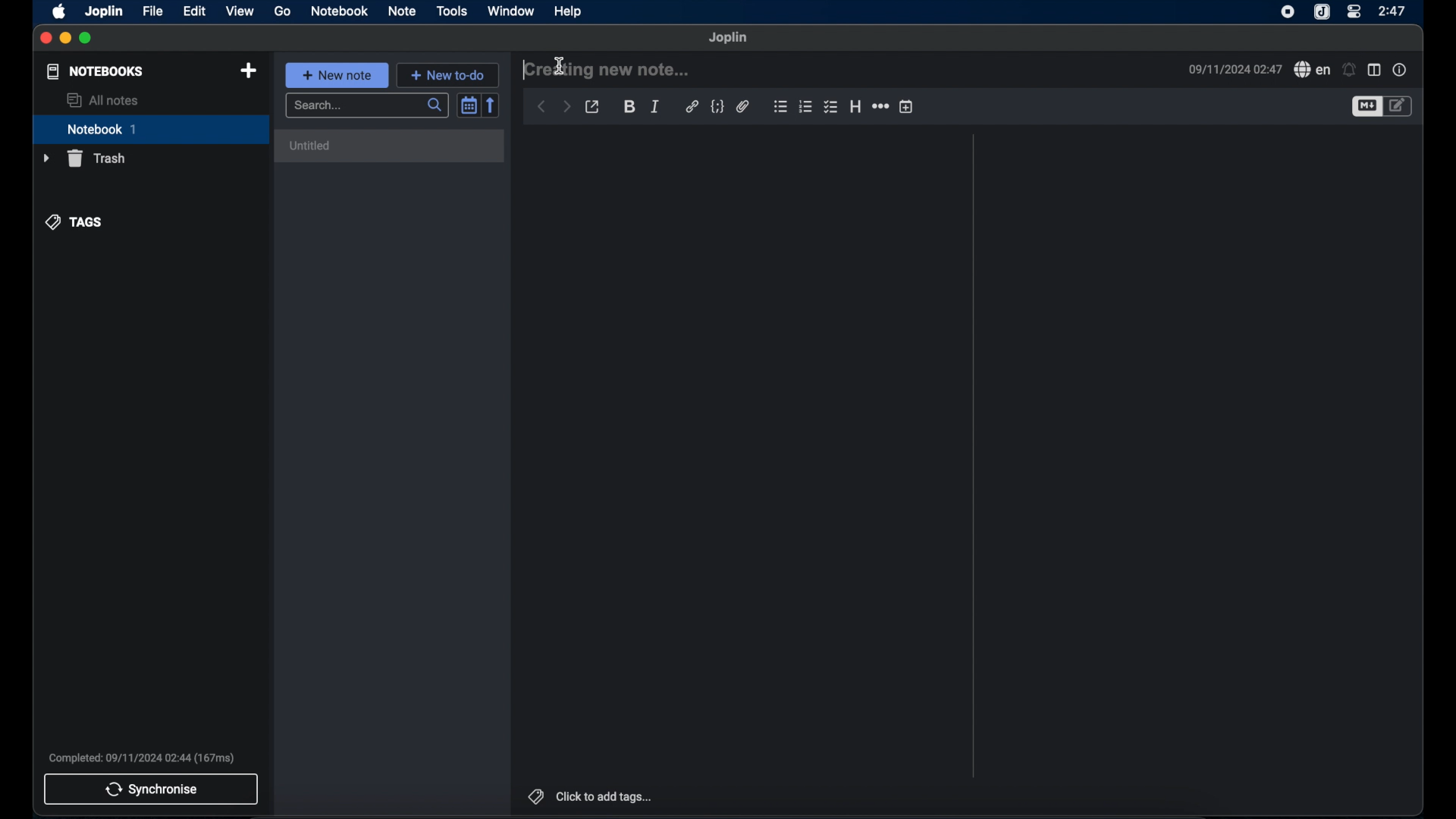 The height and width of the screenshot is (819, 1456). Describe the element at coordinates (592, 797) in the screenshot. I see `click to add tags` at that location.